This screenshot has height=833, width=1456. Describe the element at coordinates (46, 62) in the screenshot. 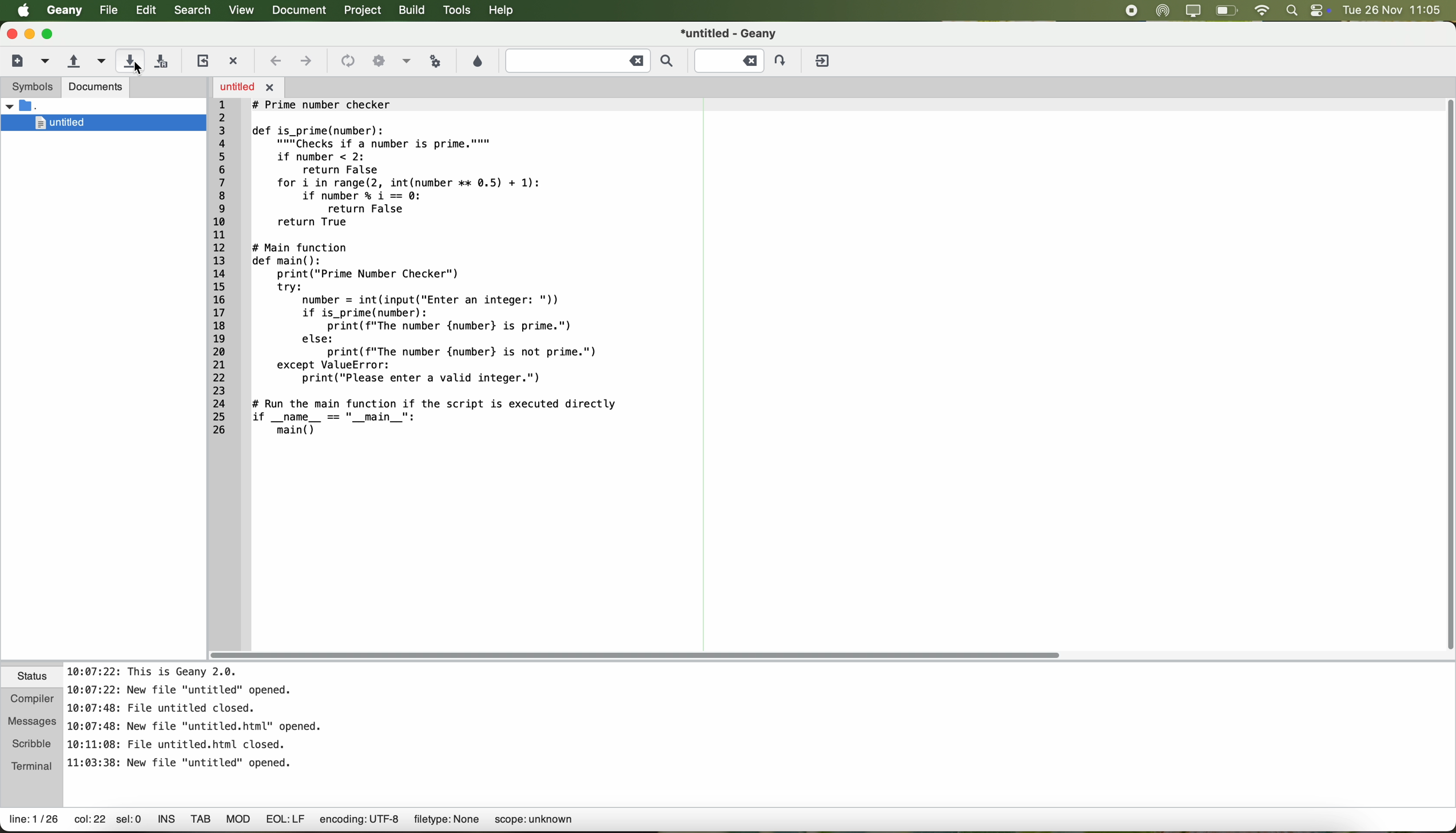

I see `create a new file from template` at that location.